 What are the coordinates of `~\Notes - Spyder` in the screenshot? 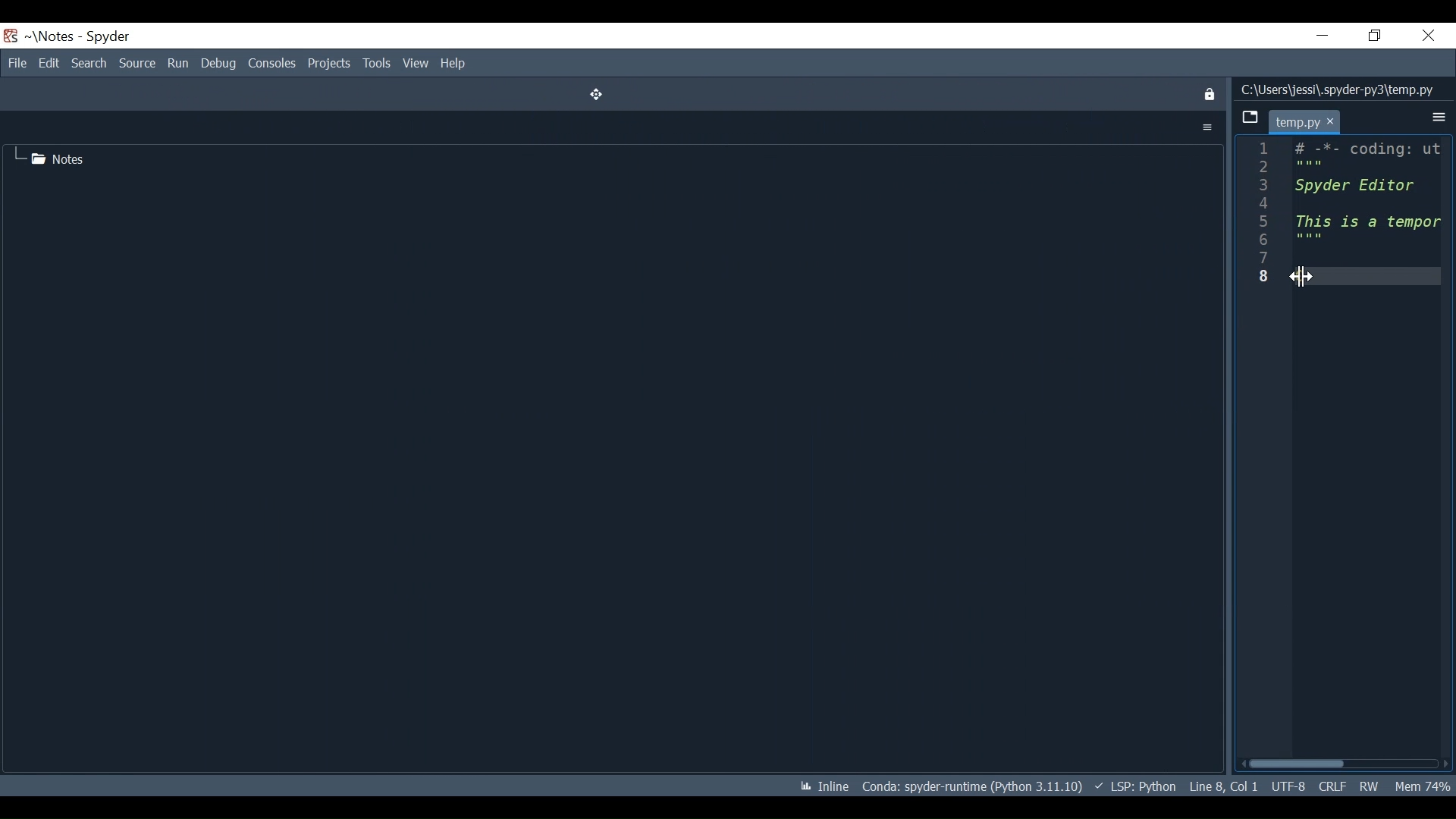 It's located at (80, 36).